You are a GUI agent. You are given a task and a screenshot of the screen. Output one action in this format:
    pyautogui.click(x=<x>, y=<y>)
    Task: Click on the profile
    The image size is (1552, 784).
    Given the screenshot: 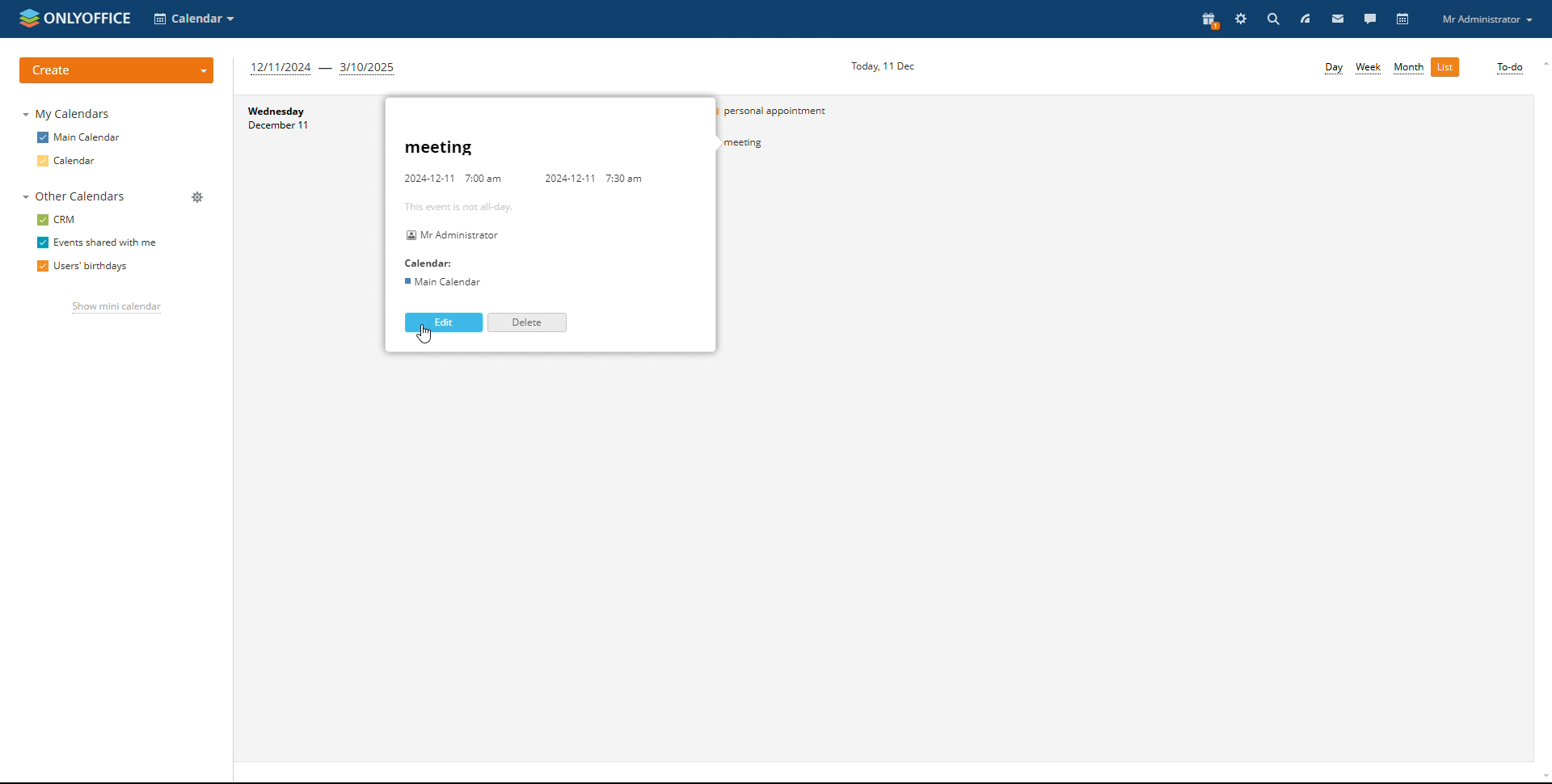 What is the action you would take?
    pyautogui.click(x=1487, y=19)
    